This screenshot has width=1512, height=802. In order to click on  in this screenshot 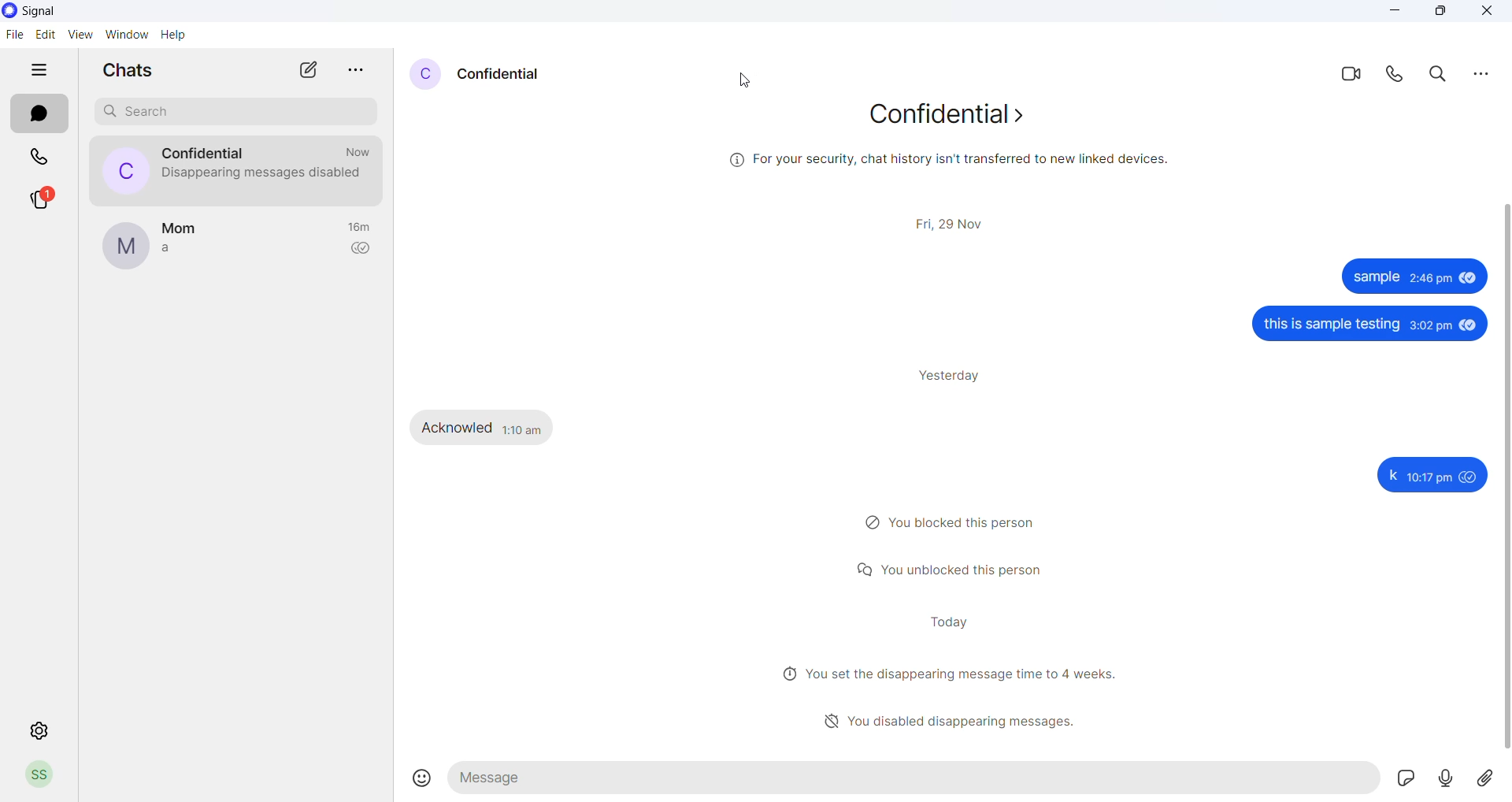, I will do `click(1446, 12)`.